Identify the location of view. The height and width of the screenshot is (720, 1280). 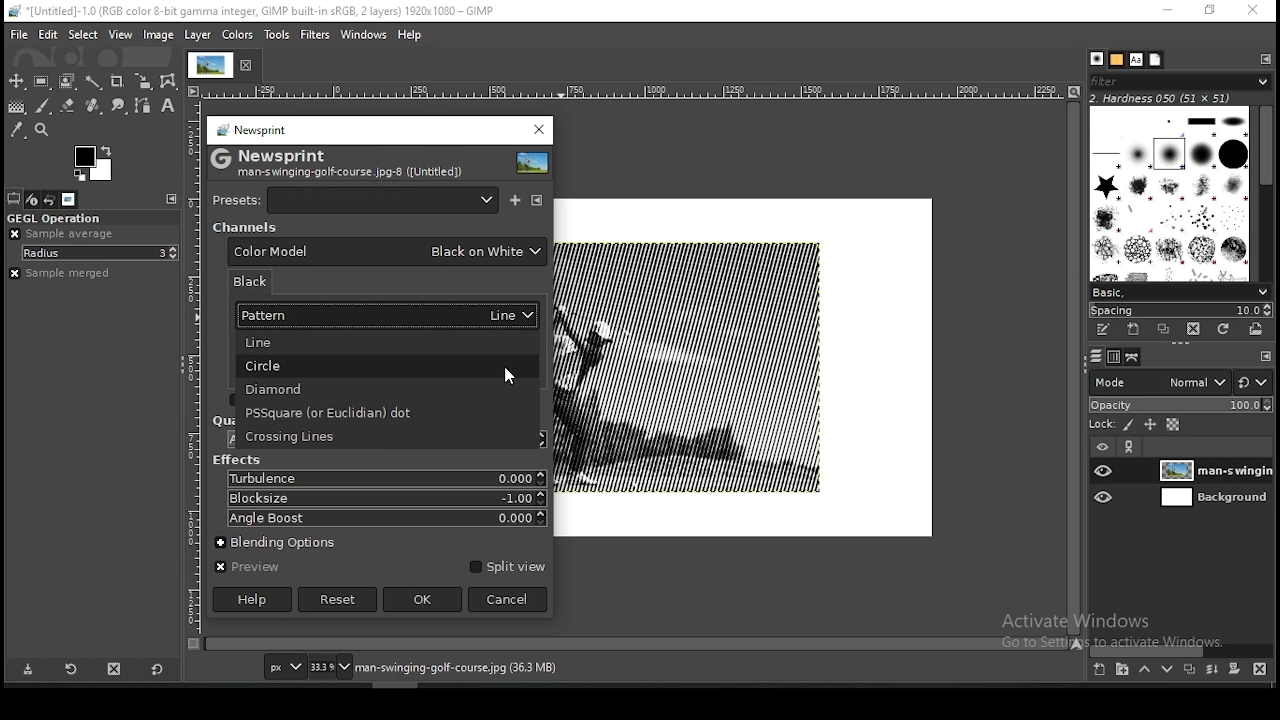
(120, 35).